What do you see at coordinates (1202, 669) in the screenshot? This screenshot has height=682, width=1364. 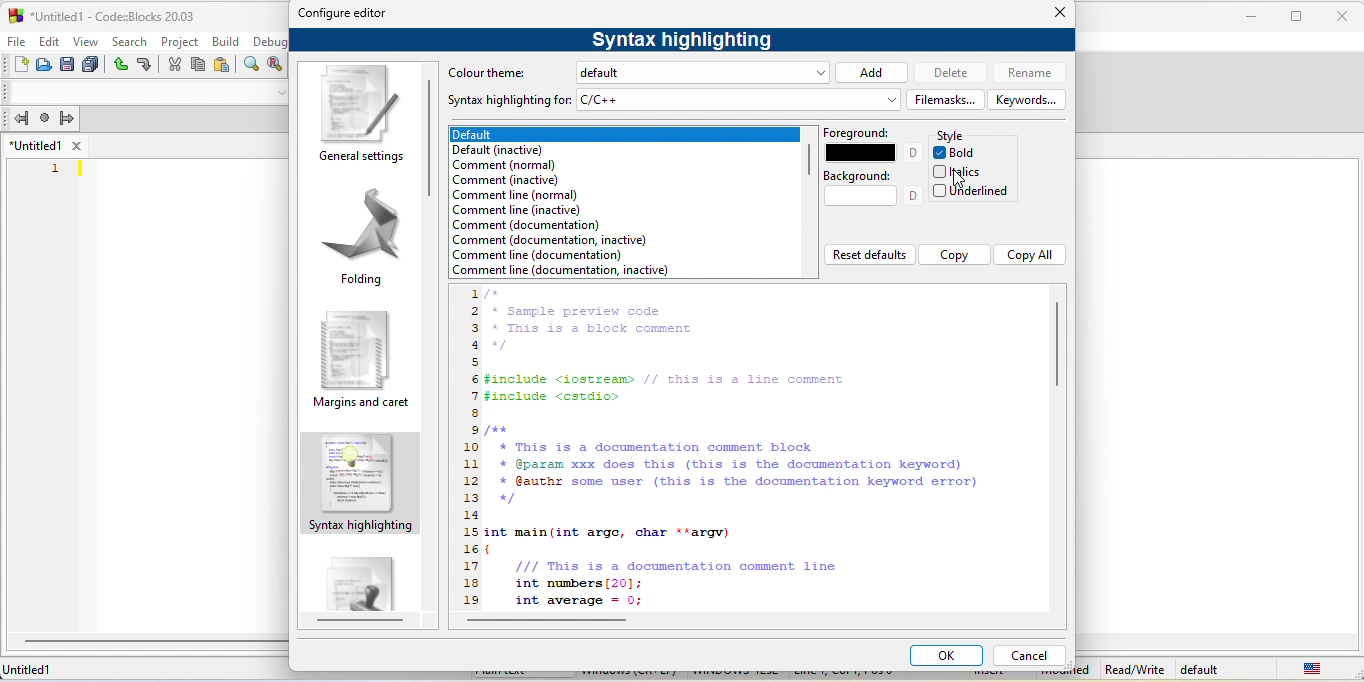 I see `default` at bounding box center [1202, 669].